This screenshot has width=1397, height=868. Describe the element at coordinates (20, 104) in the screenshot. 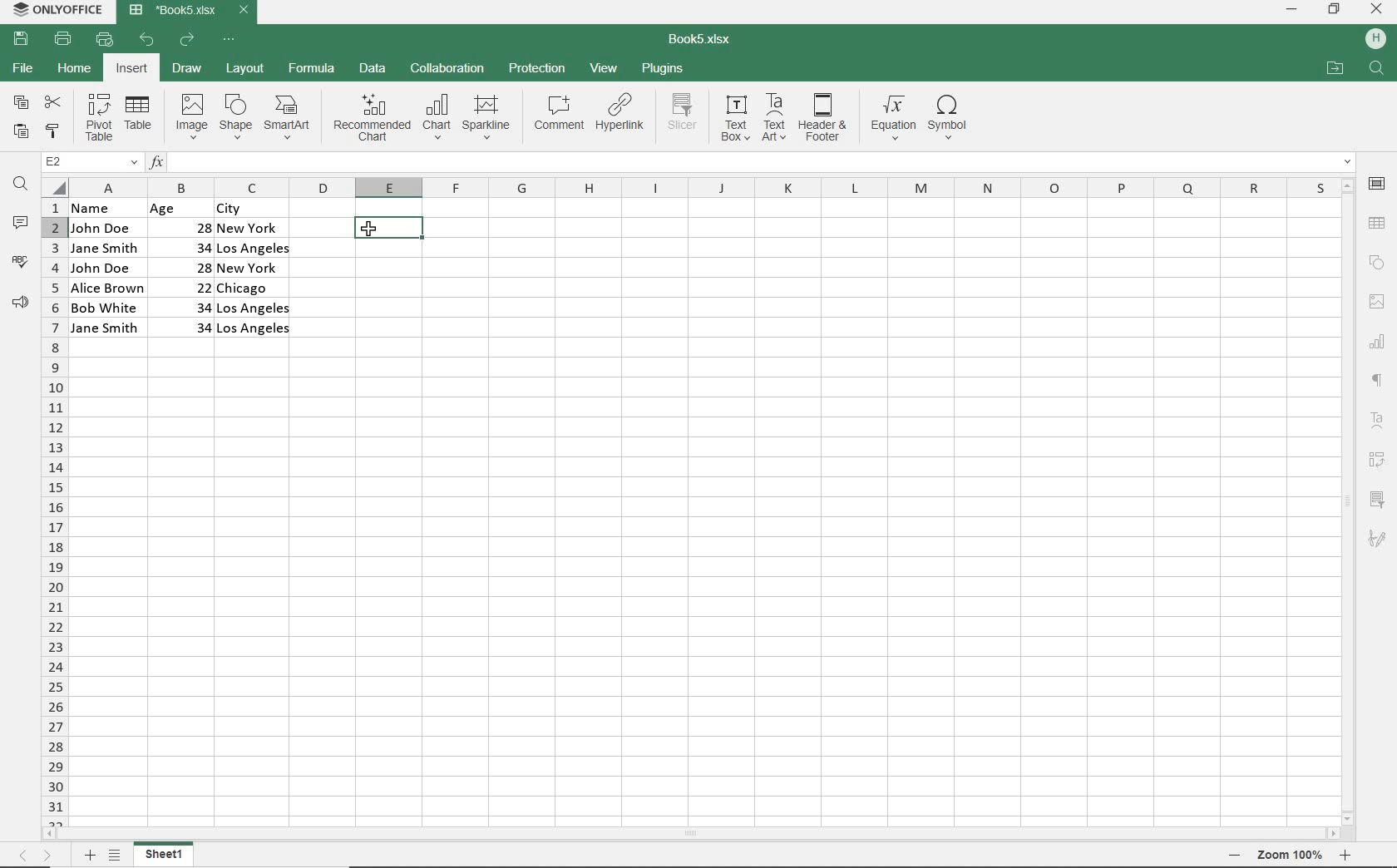

I see `COPY` at that location.